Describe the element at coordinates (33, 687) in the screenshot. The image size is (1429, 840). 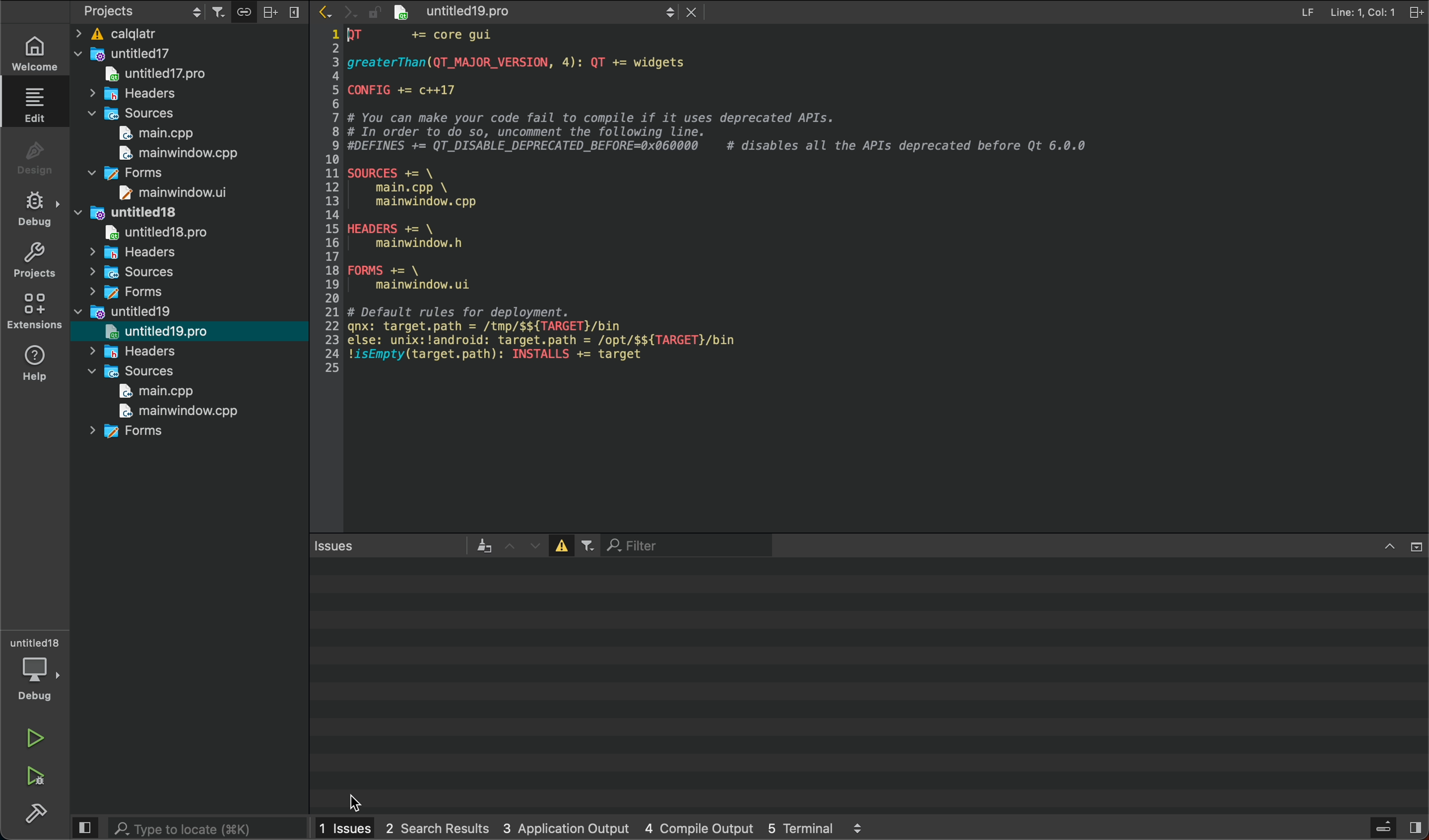
I see `debug` at that location.